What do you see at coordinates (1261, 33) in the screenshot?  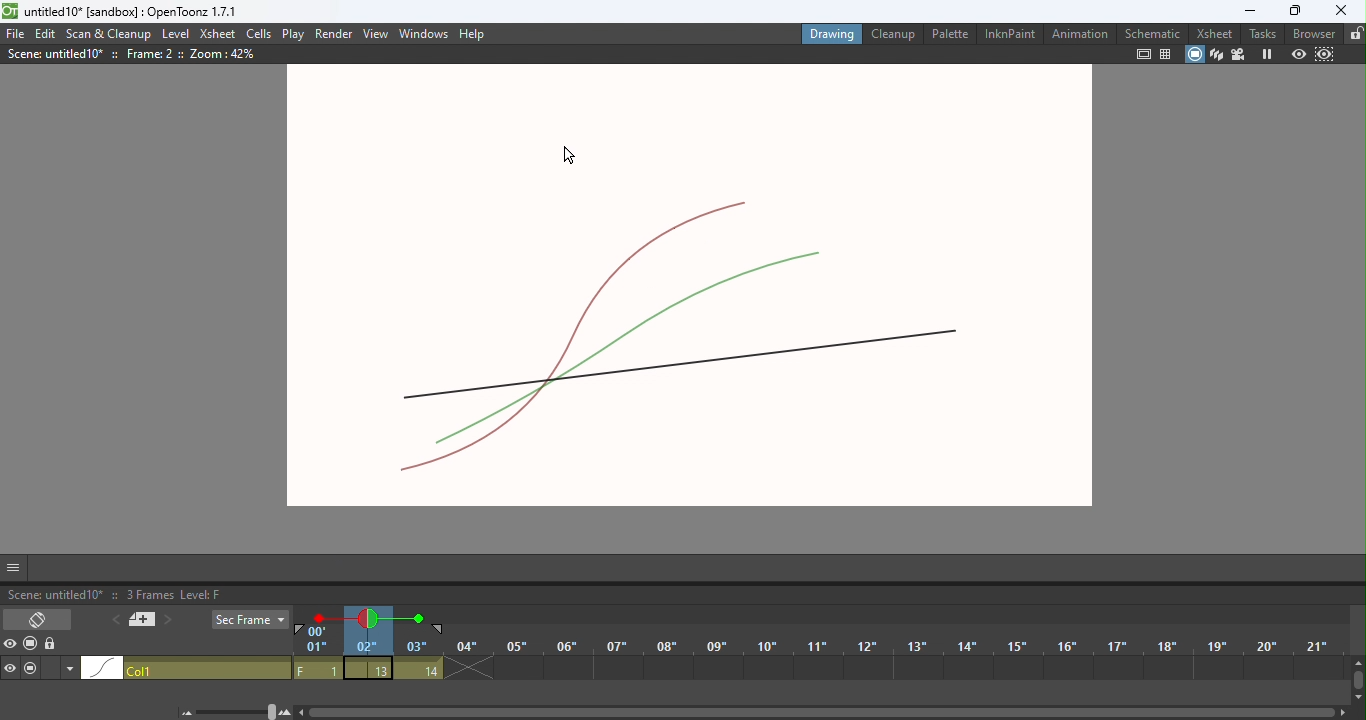 I see `Tasks` at bounding box center [1261, 33].